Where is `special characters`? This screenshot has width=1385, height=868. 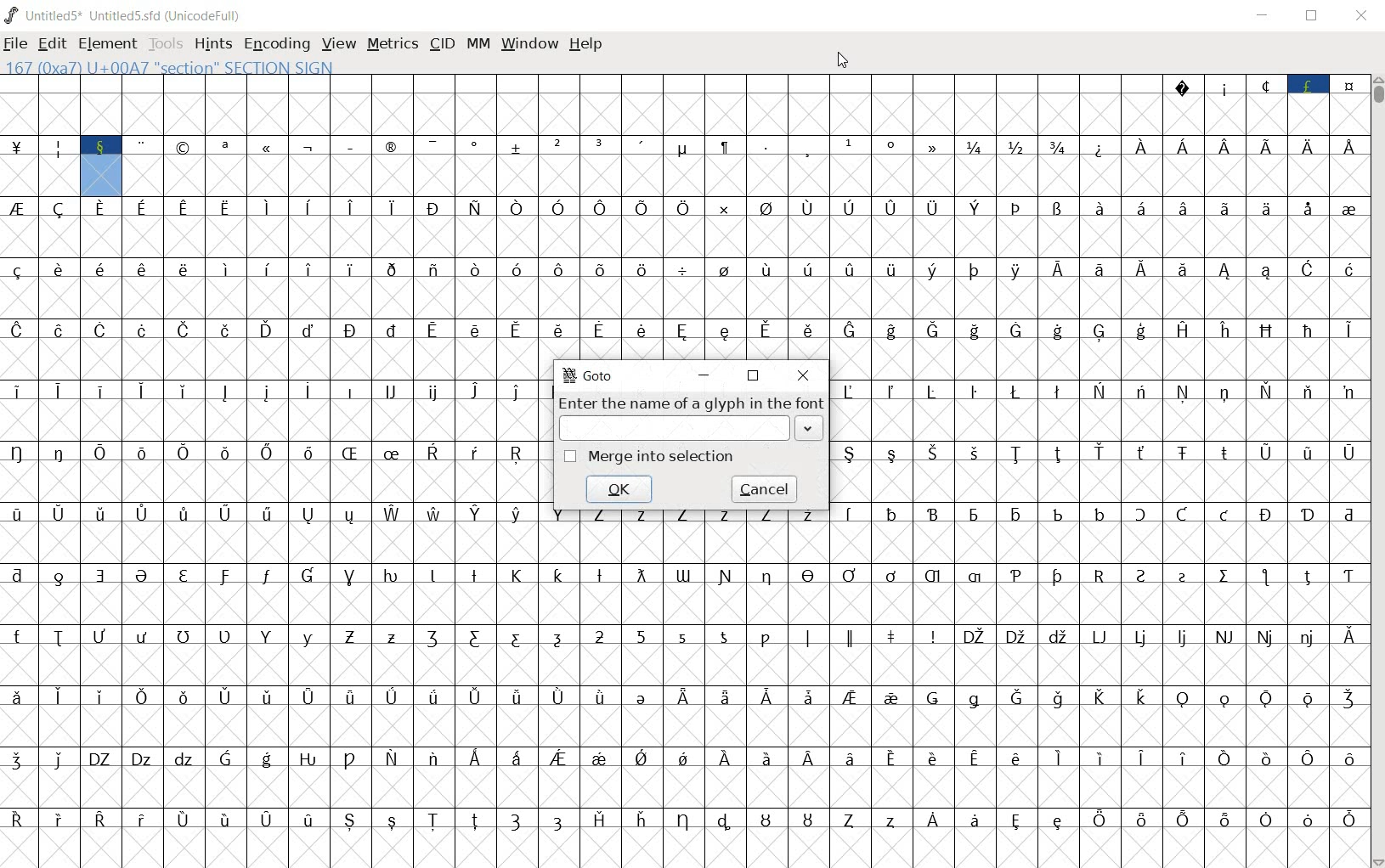 special characters is located at coordinates (1263, 104).